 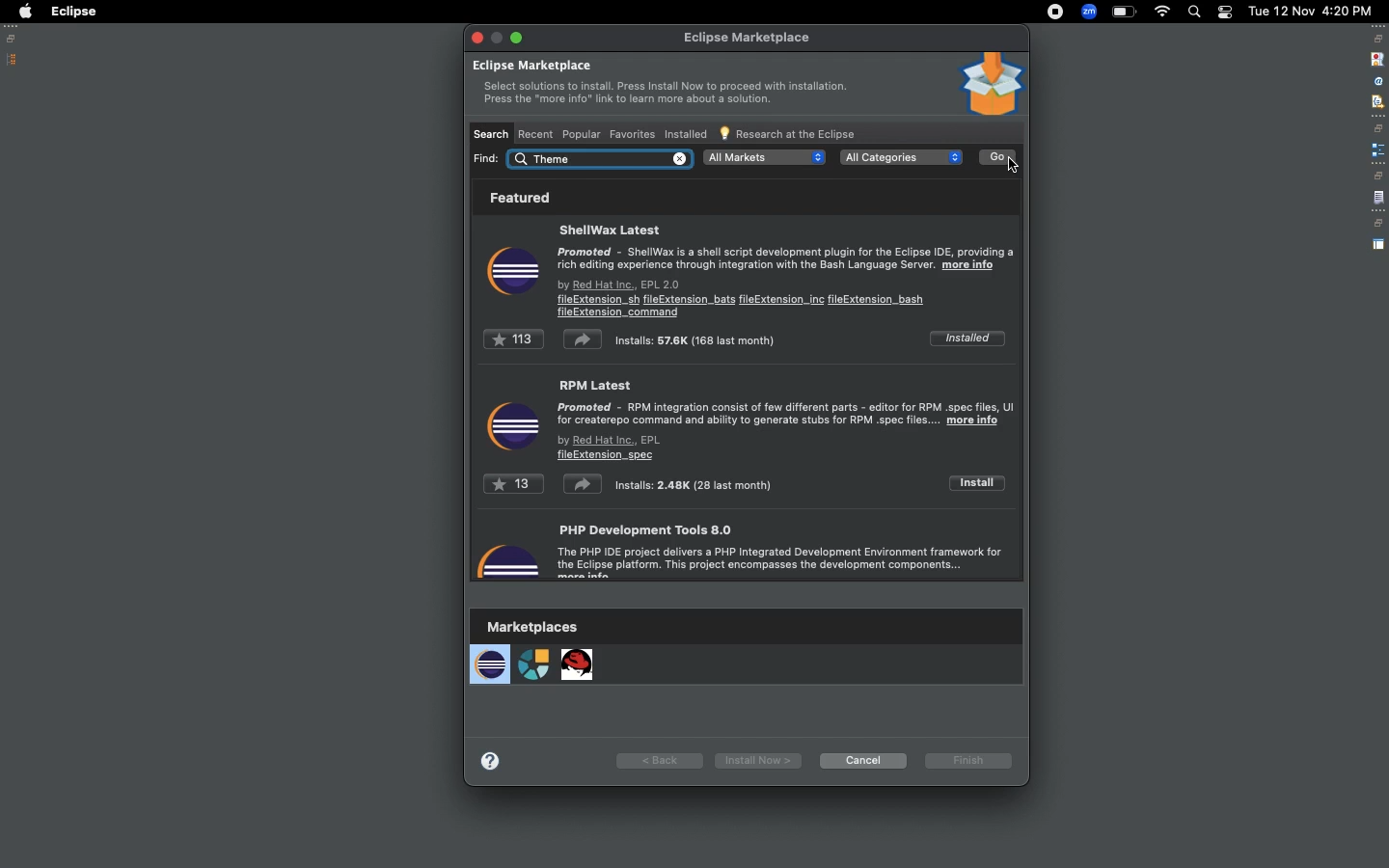 I want to click on filter, so click(x=1376, y=101).